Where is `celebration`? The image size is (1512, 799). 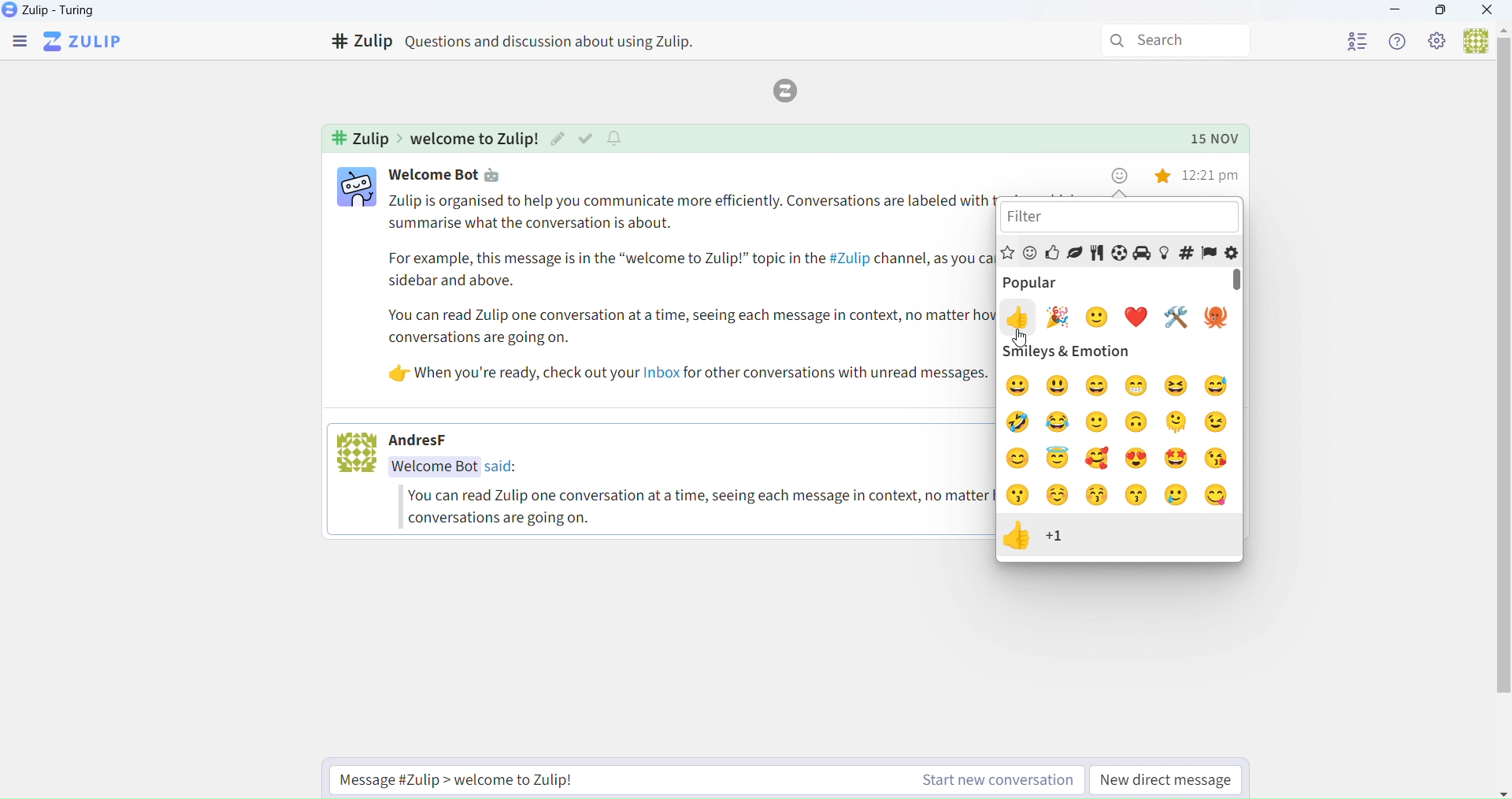 celebration is located at coordinates (1062, 314).